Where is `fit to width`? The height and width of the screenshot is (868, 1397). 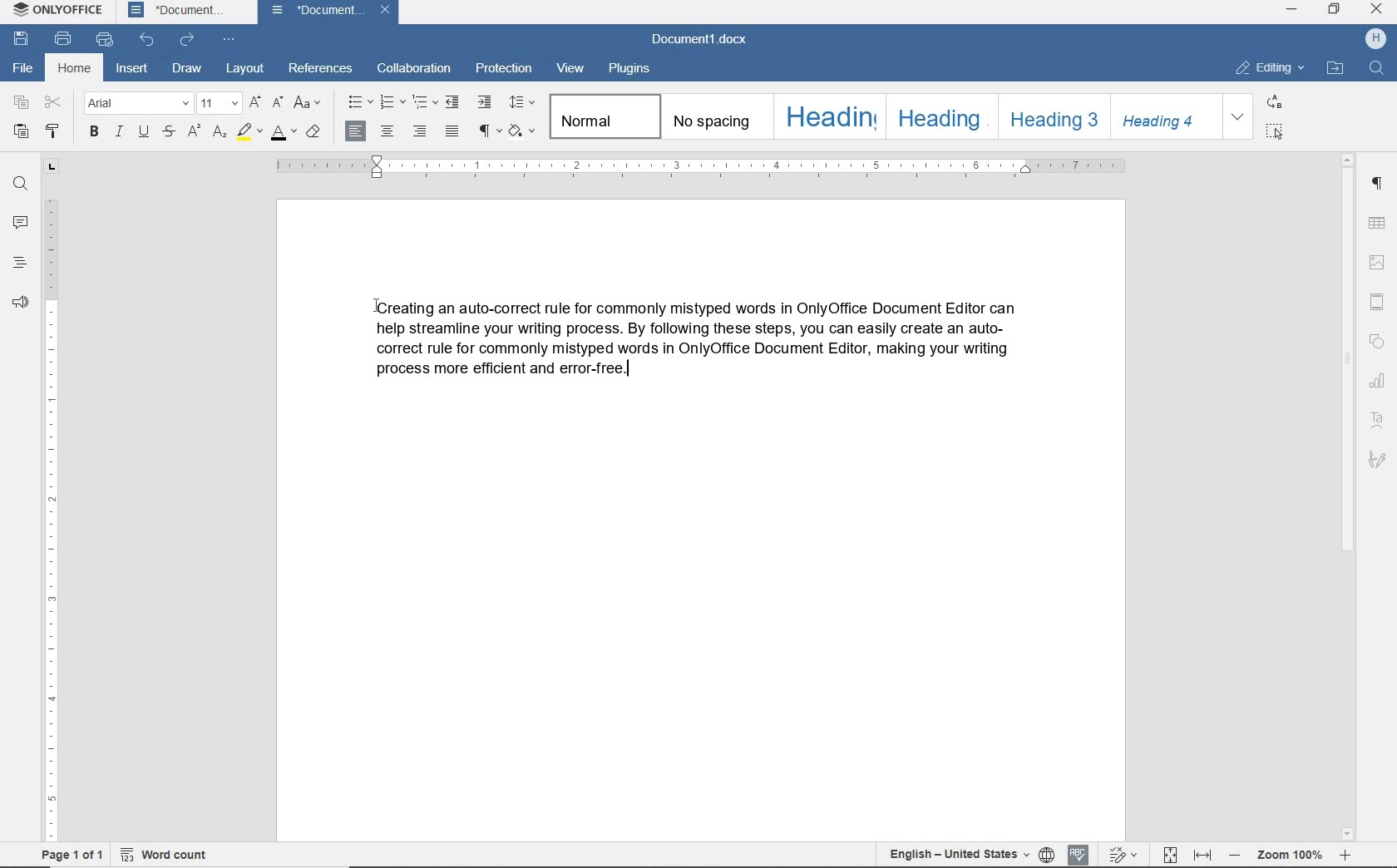 fit to width is located at coordinates (1202, 856).